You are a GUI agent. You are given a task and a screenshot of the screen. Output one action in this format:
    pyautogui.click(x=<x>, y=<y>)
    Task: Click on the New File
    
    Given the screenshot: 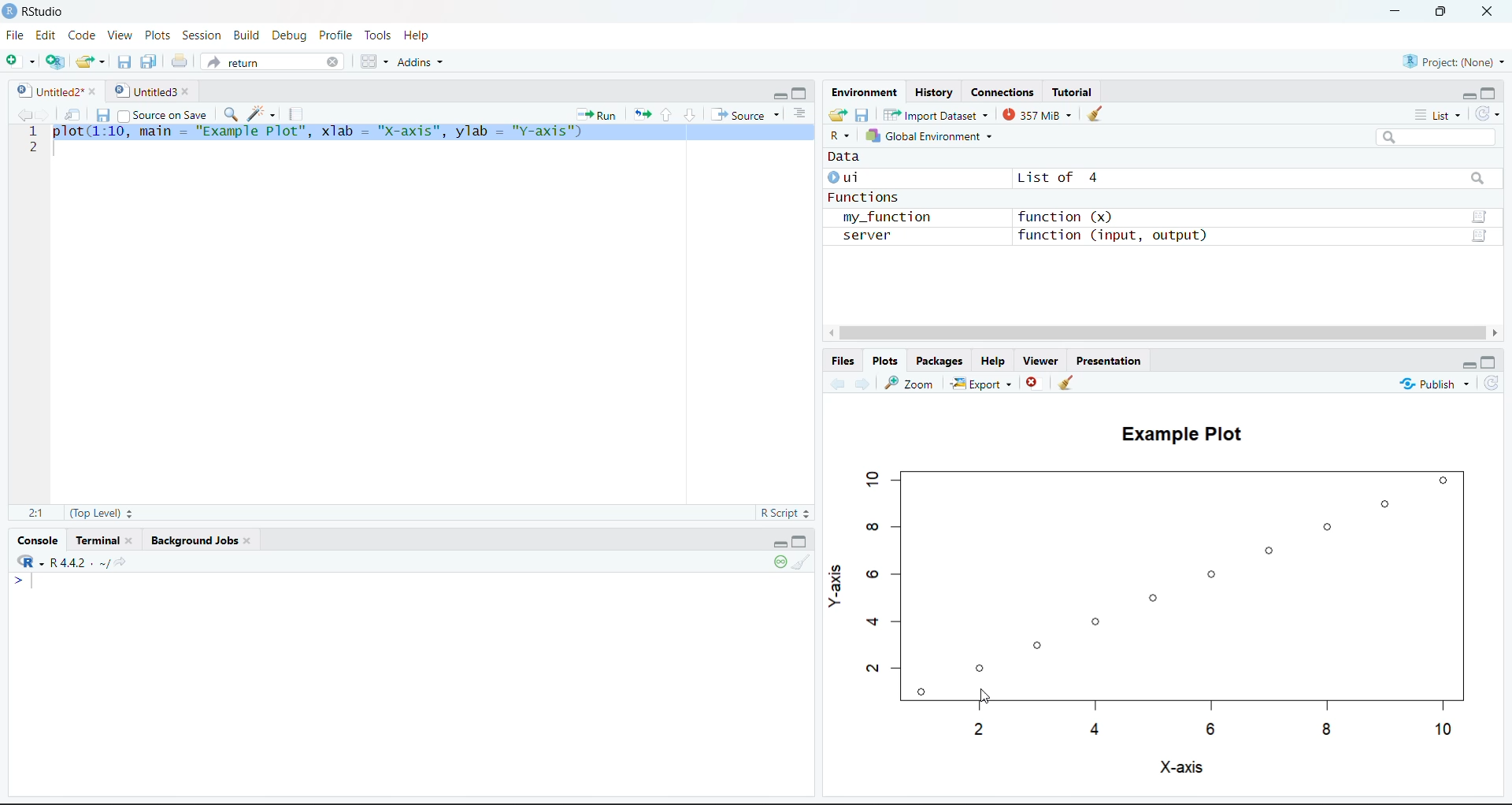 What is the action you would take?
    pyautogui.click(x=20, y=60)
    